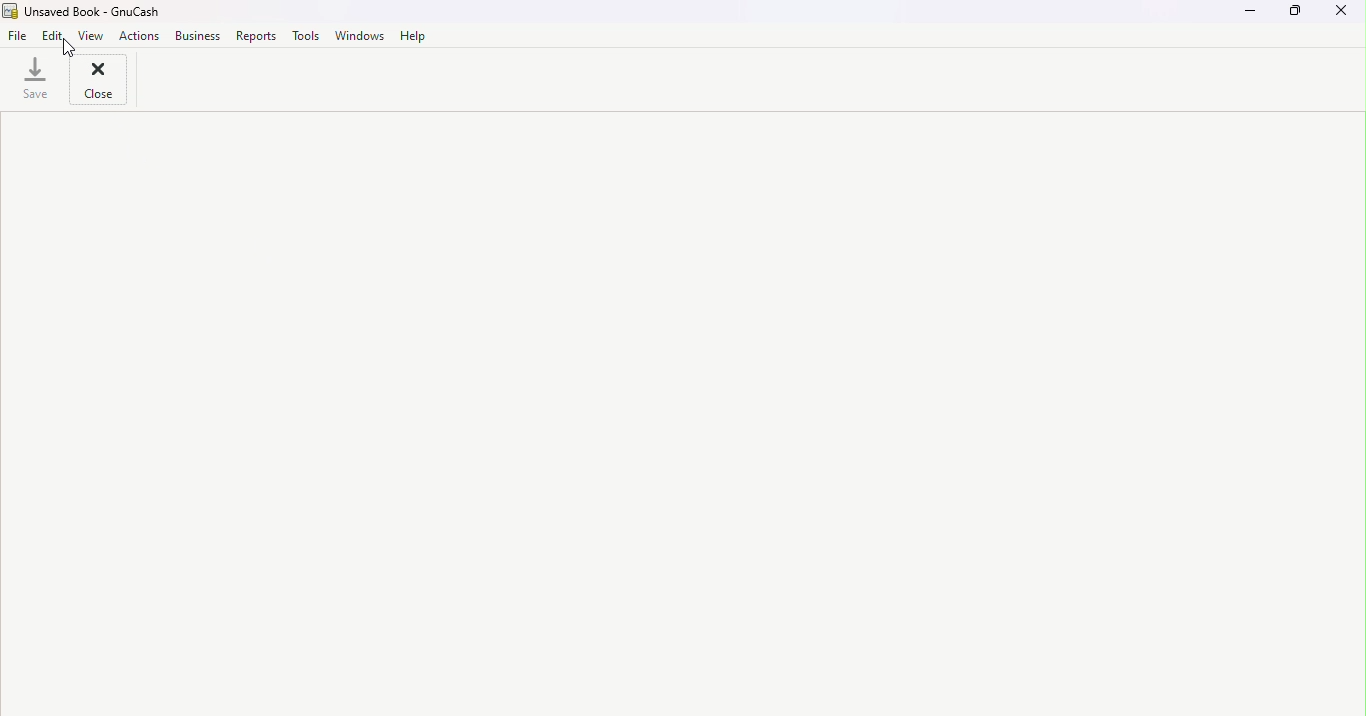 The height and width of the screenshot is (716, 1366). What do you see at coordinates (76, 47) in the screenshot?
I see `cursor` at bounding box center [76, 47].